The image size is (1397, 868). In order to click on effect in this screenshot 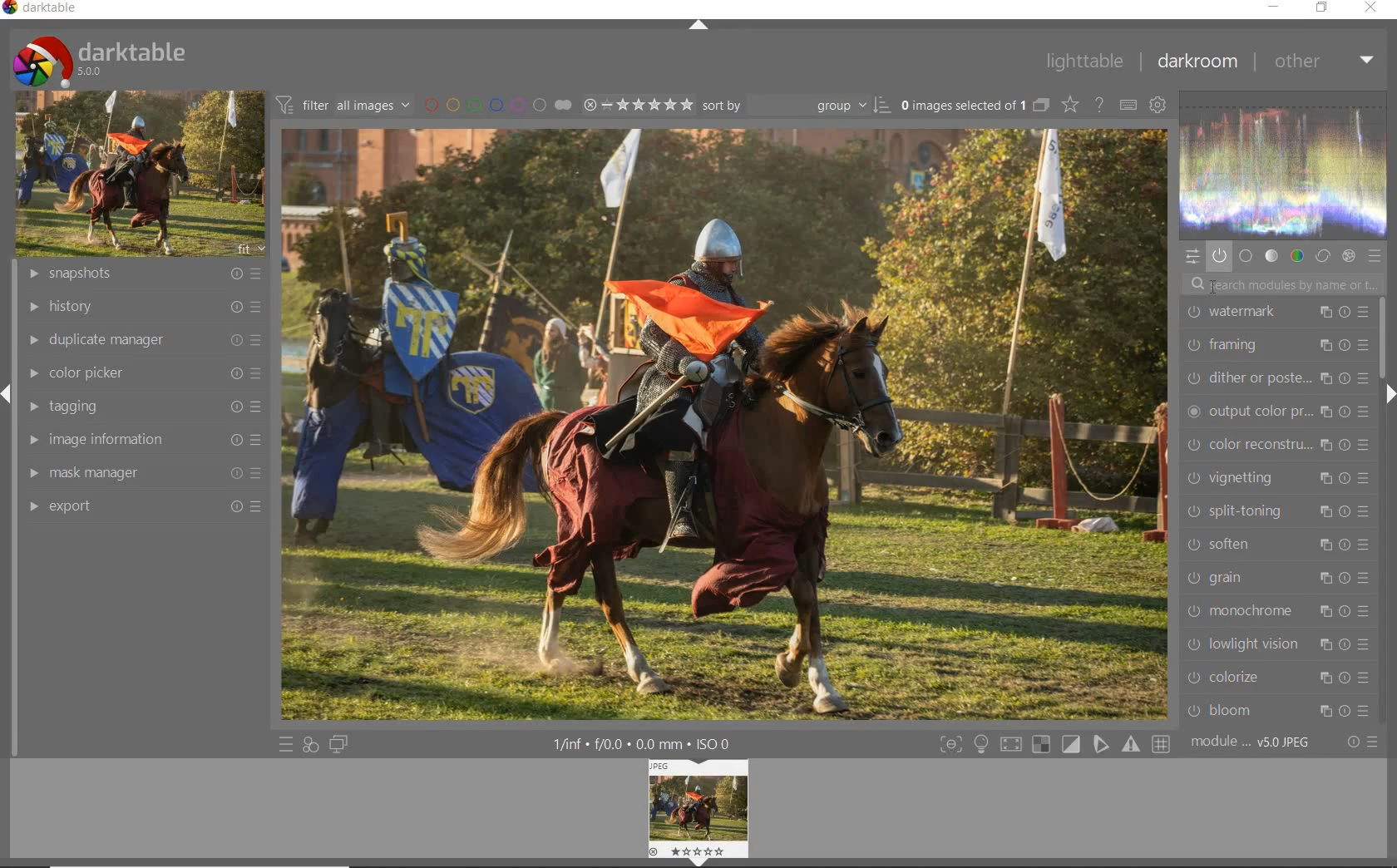, I will do `click(1349, 255)`.